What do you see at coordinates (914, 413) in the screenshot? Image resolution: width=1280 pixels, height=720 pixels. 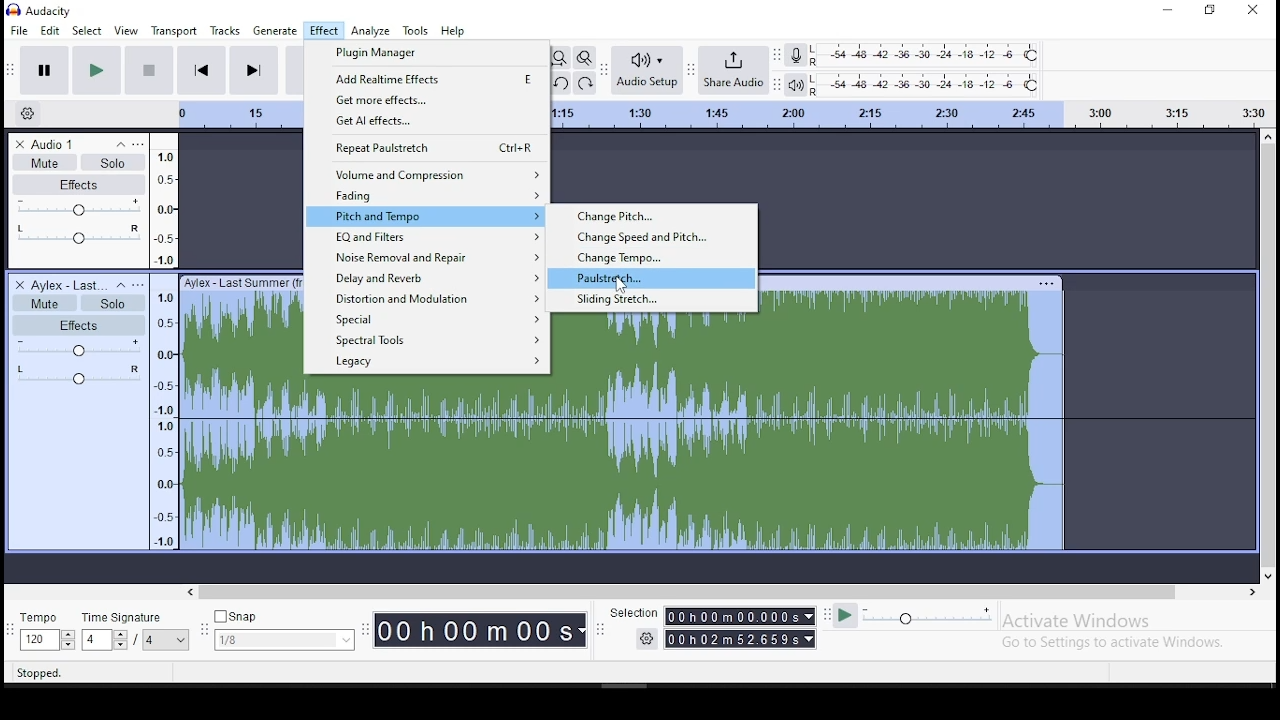 I see `audio track` at bounding box center [914, 413].